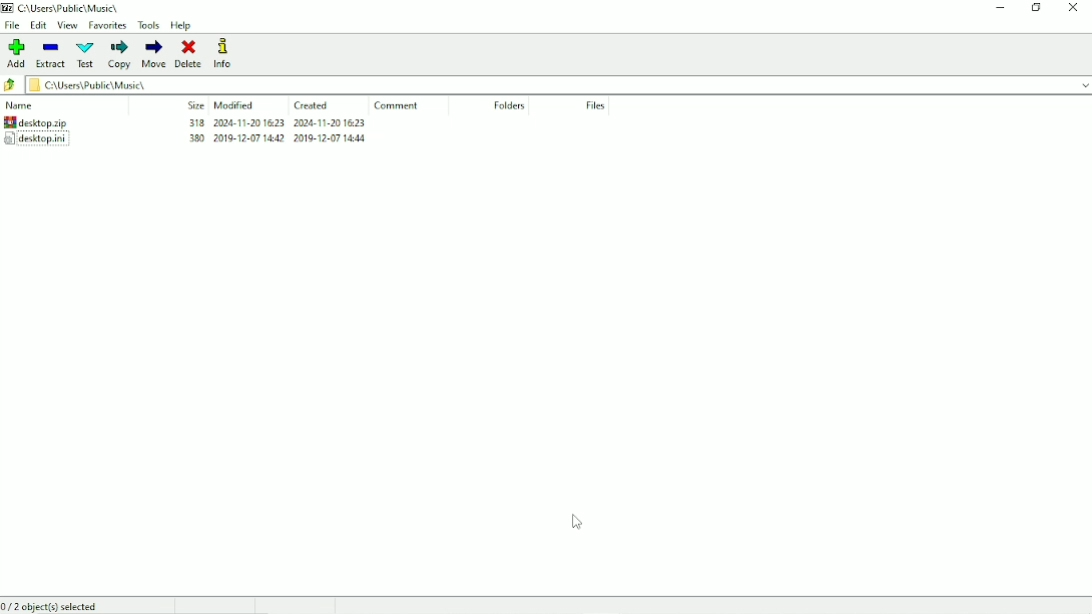 The image size is (1092, 614). What do you see at coordinates (235, 105) in the screenshot?
I see `Modified` at bounding box center [235, 105].